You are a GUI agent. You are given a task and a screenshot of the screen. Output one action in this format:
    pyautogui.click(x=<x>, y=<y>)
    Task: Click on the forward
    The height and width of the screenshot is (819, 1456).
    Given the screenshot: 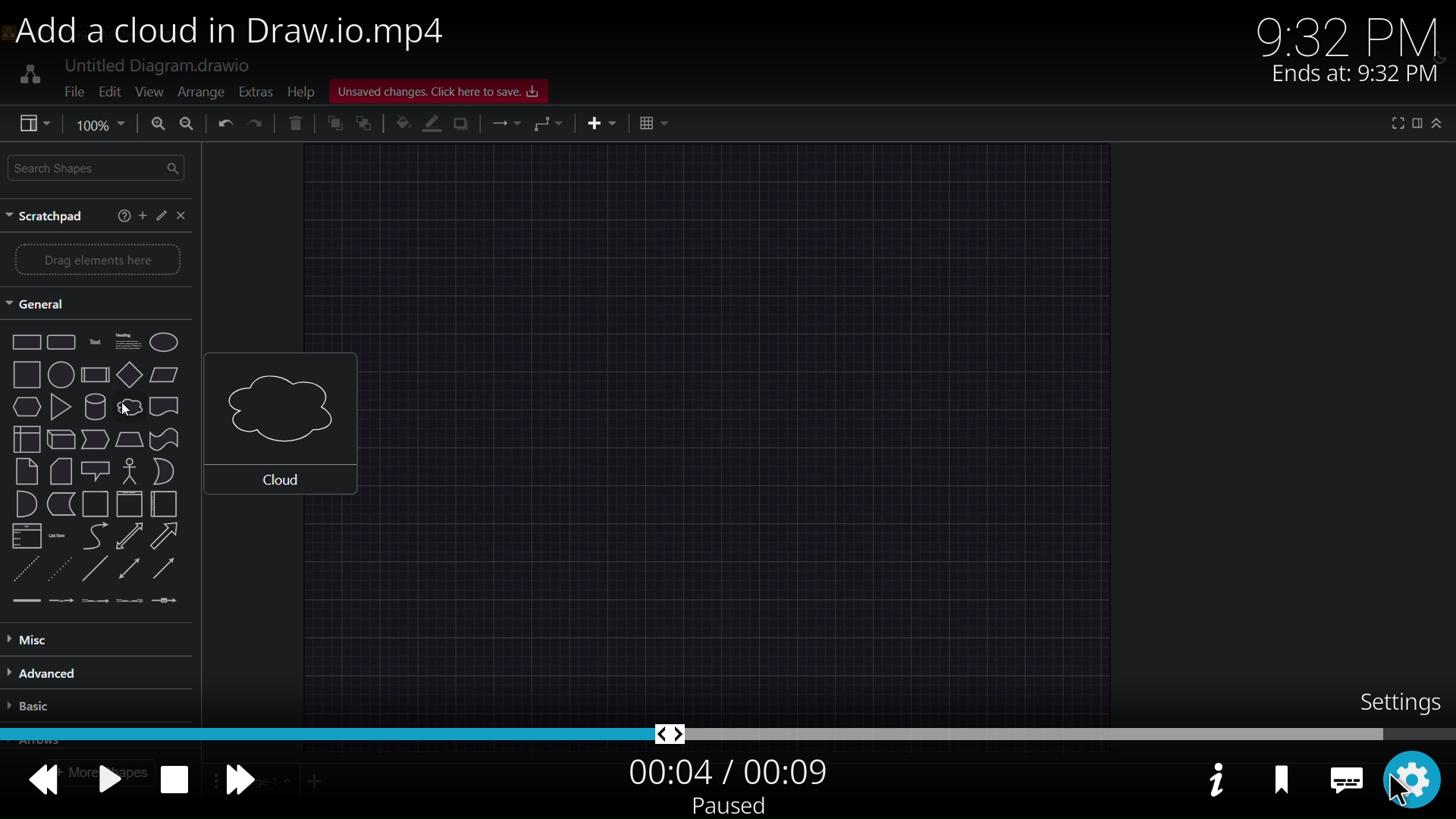 What is the action you would take?
    pyautogui.click(x=244, y=784)
    